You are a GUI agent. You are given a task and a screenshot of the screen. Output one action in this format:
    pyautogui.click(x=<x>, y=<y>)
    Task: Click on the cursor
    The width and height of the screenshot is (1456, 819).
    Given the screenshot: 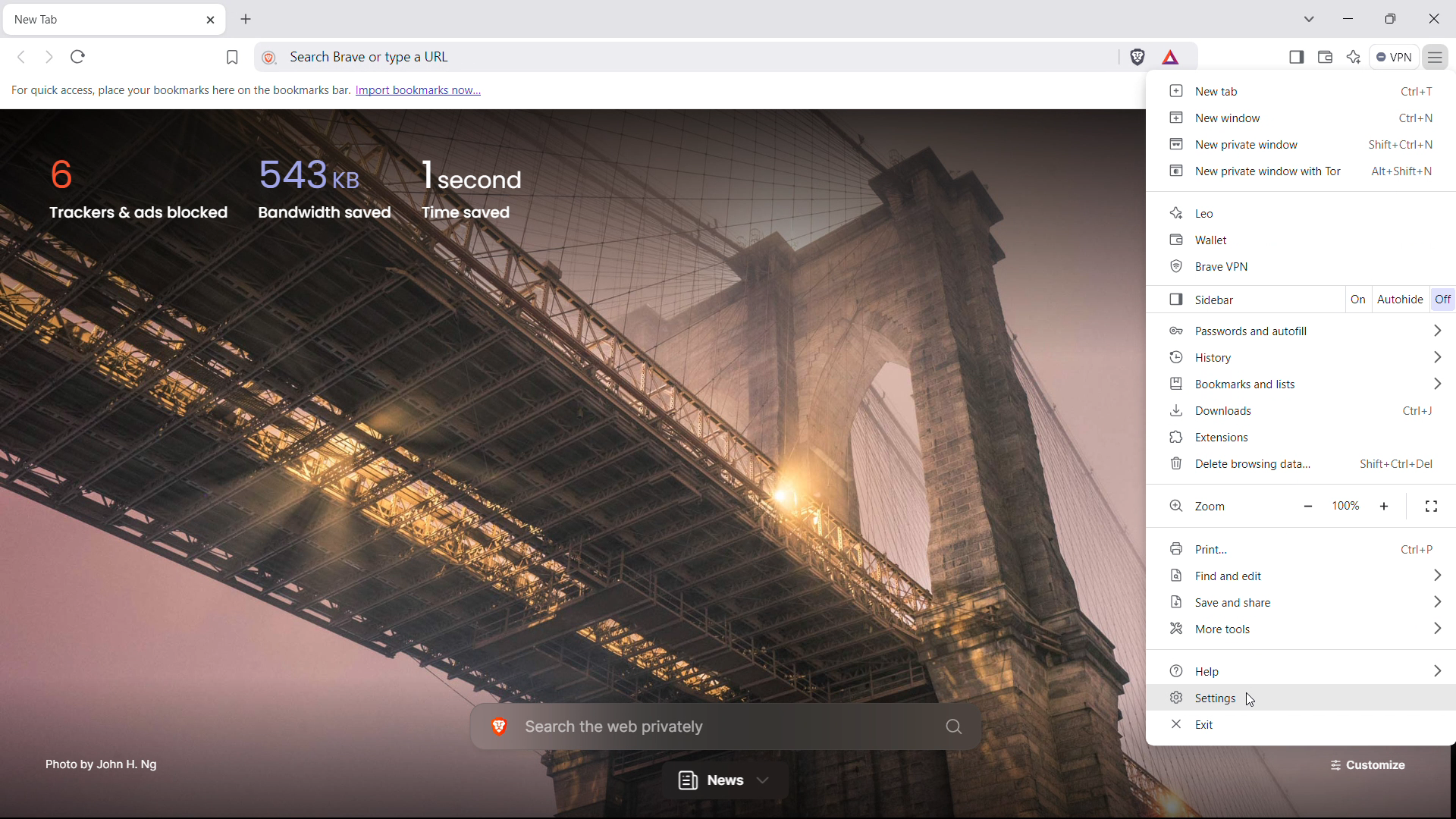 What is the action you would take?
    pyautogui.click(x=1253, y=700)
    